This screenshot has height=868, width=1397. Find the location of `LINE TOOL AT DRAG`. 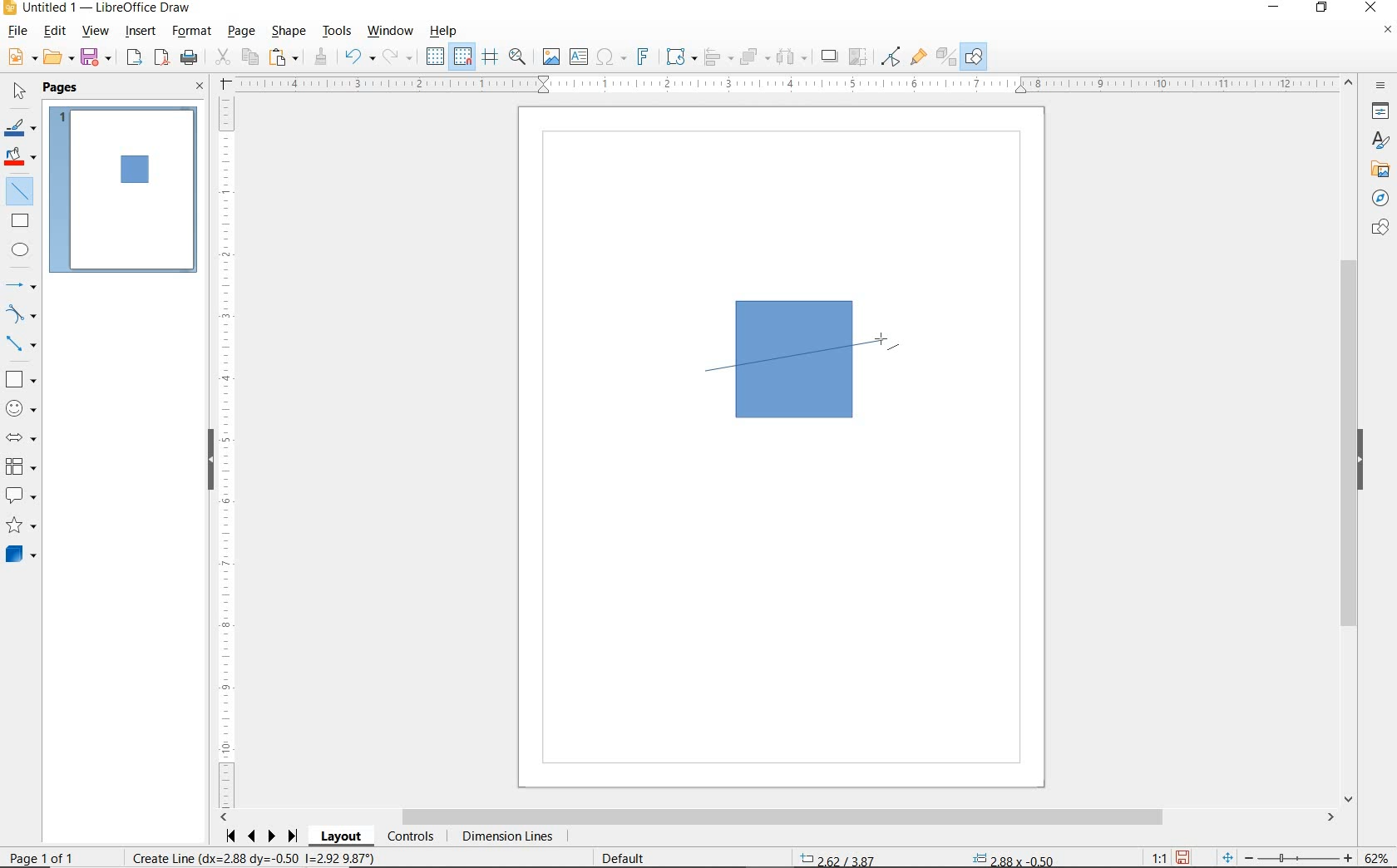

LINE TOOL AT DRAG is located at coordinates (886, 339).